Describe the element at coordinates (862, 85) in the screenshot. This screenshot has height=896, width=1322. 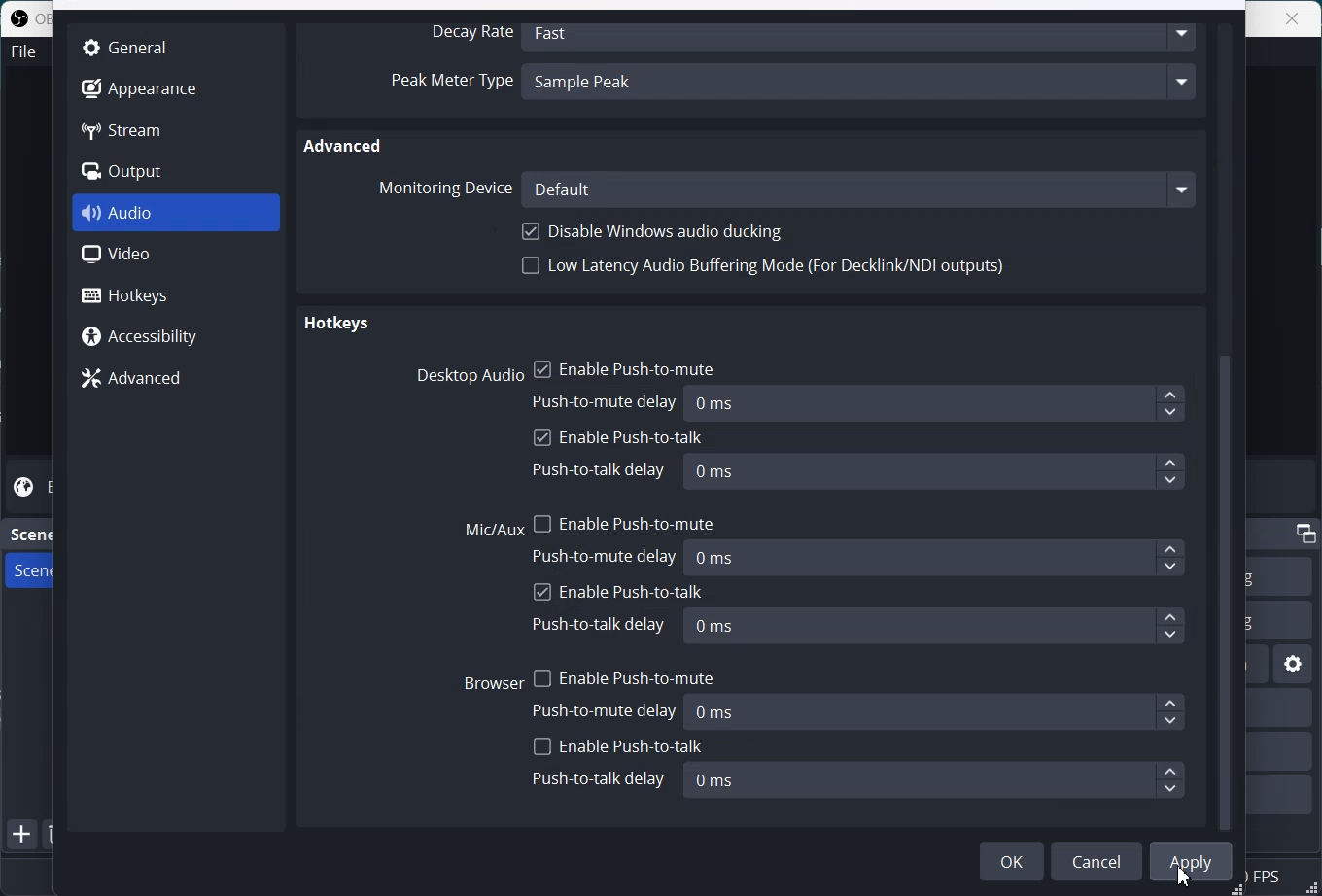
I see `Sample Peak` at that location.